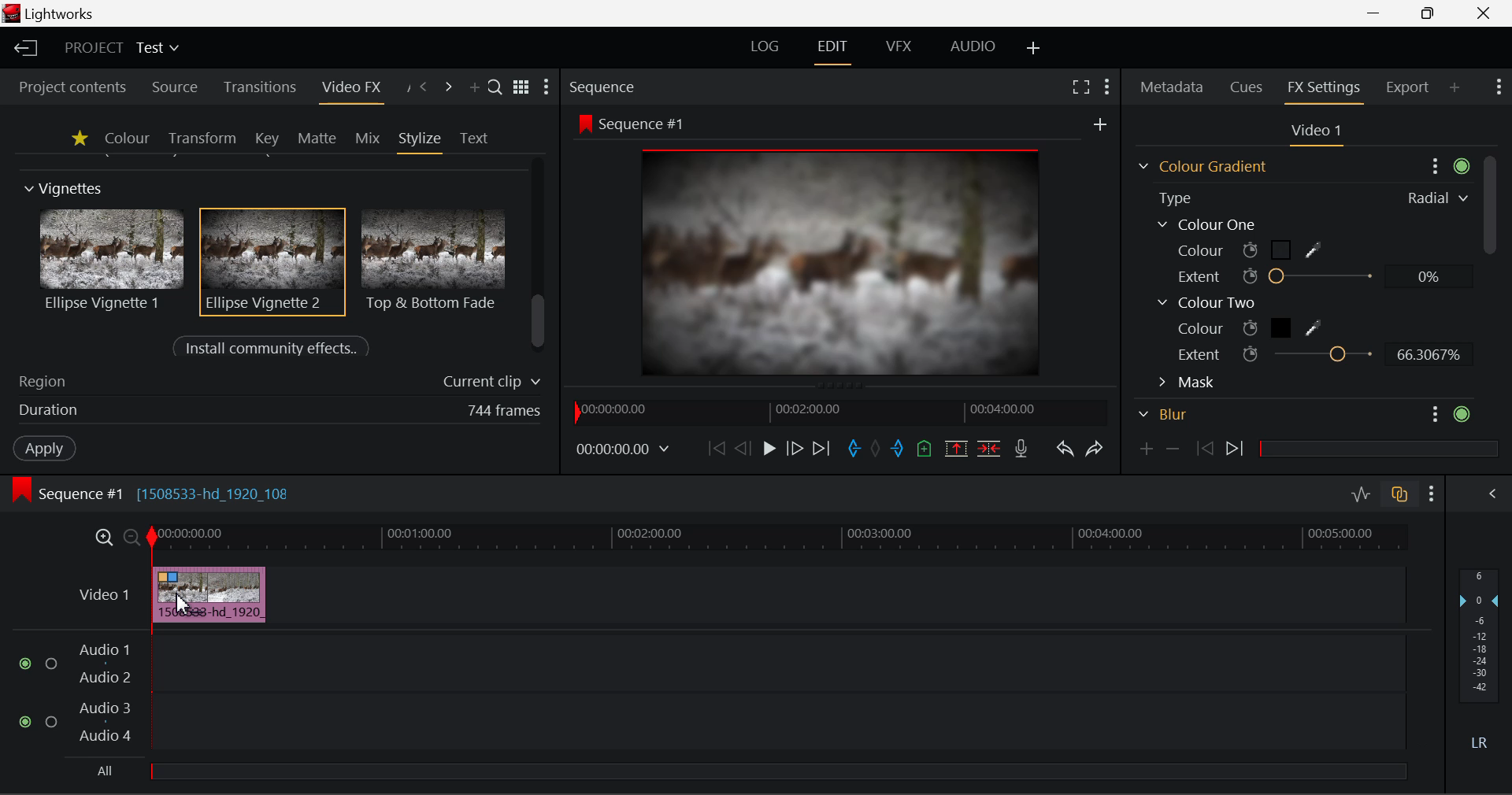  What do you see at coordinates (181, 606) in the screenshot?
I see `Effect DRAG_TO Cursor Position` at bounding box center [181, 606].